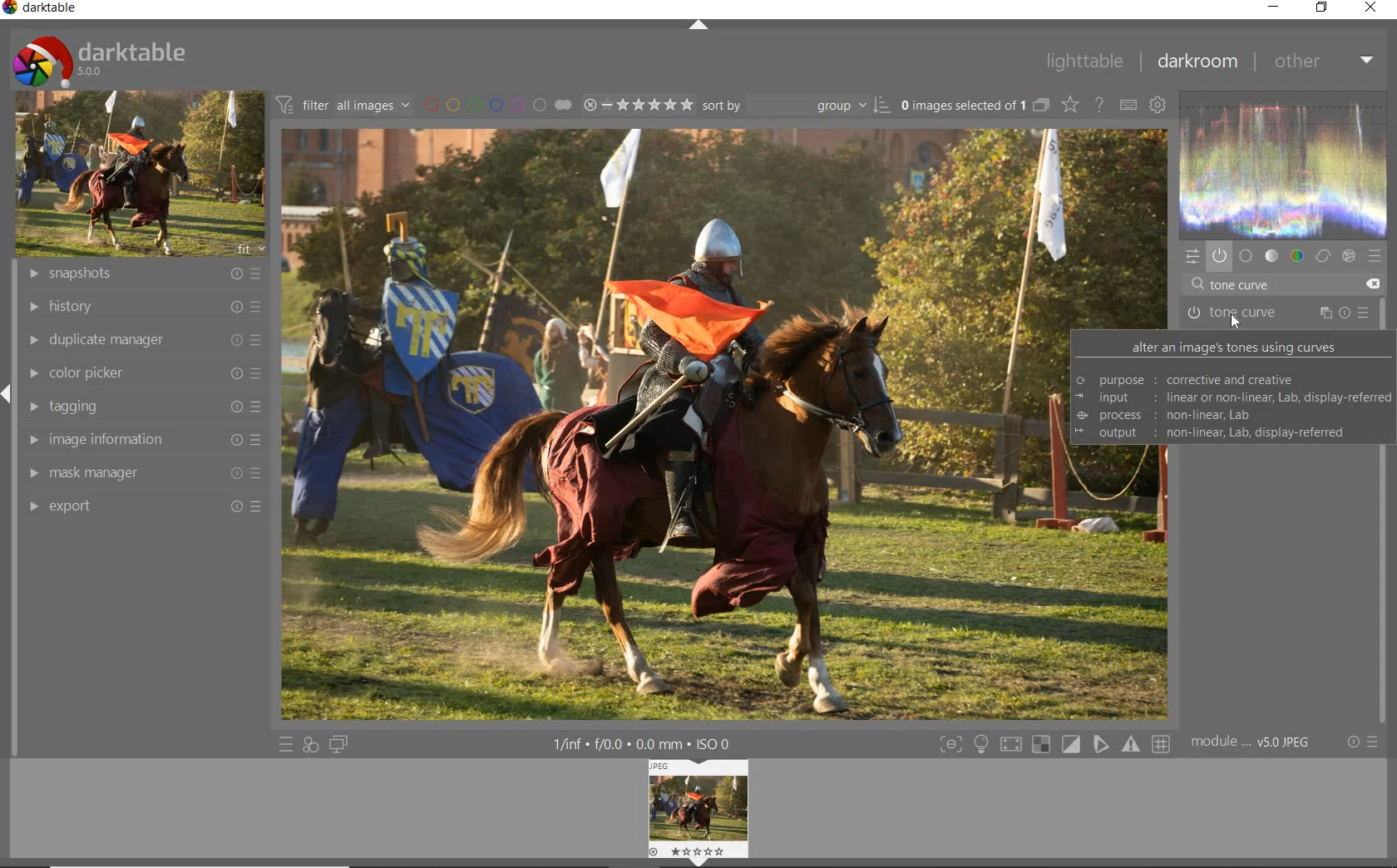  What do you see at coordinates (698, 26) in the screenshot?
I see `expand/collapse` at bounding box center [698, 26].